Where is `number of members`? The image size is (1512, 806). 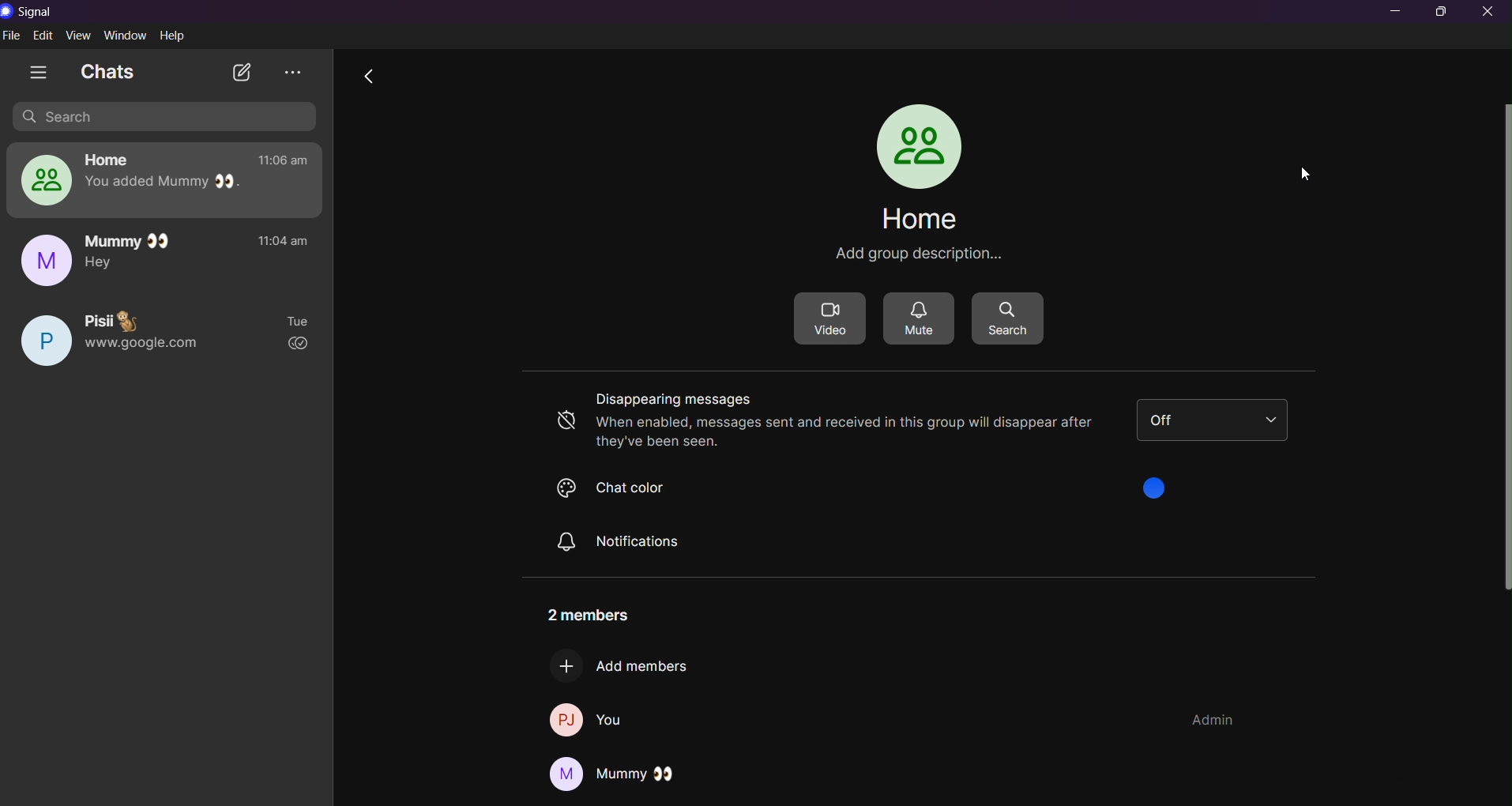
number of members is located at coordinates (598, 616).